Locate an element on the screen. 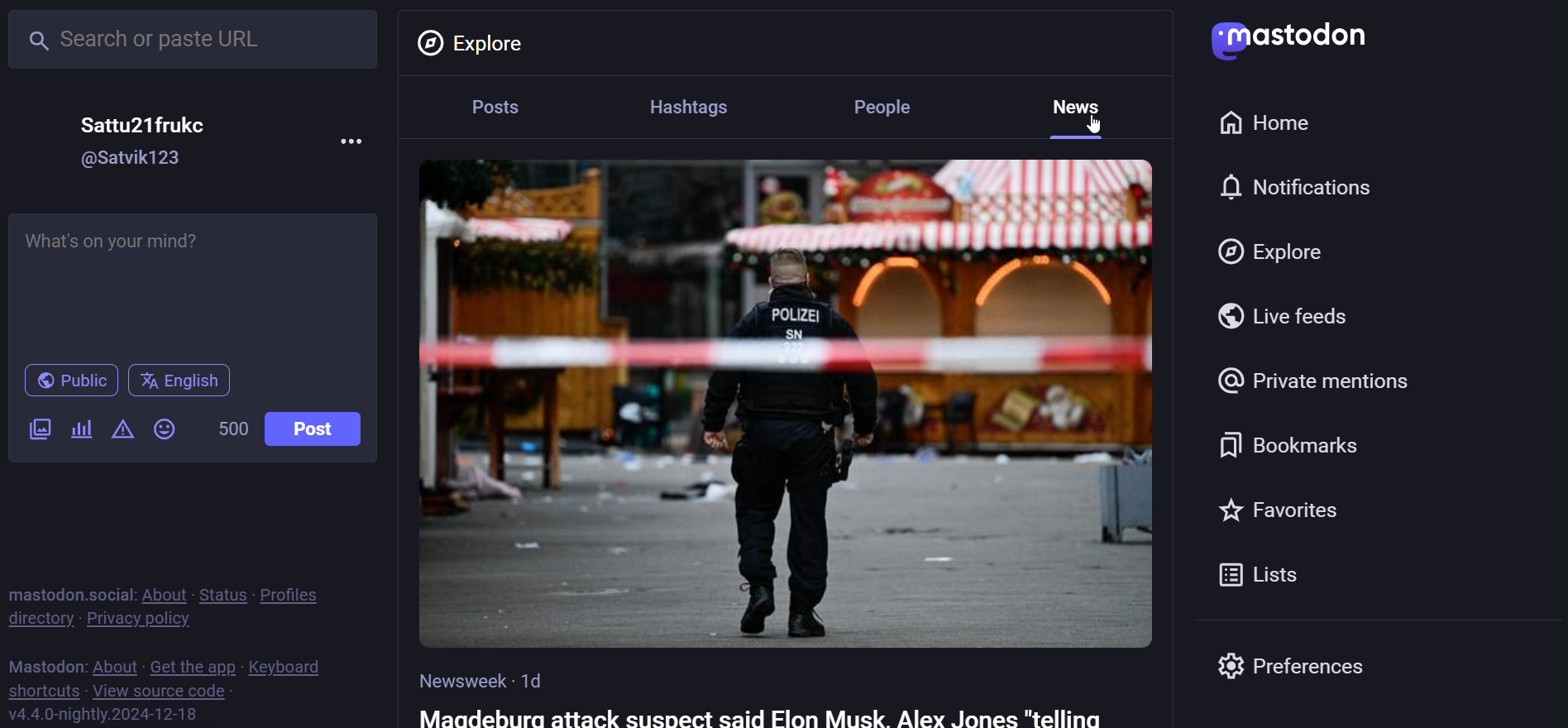 Image resolution: width=1568 pixels, height=728 pixels. status is located at coordinates (221, 595).